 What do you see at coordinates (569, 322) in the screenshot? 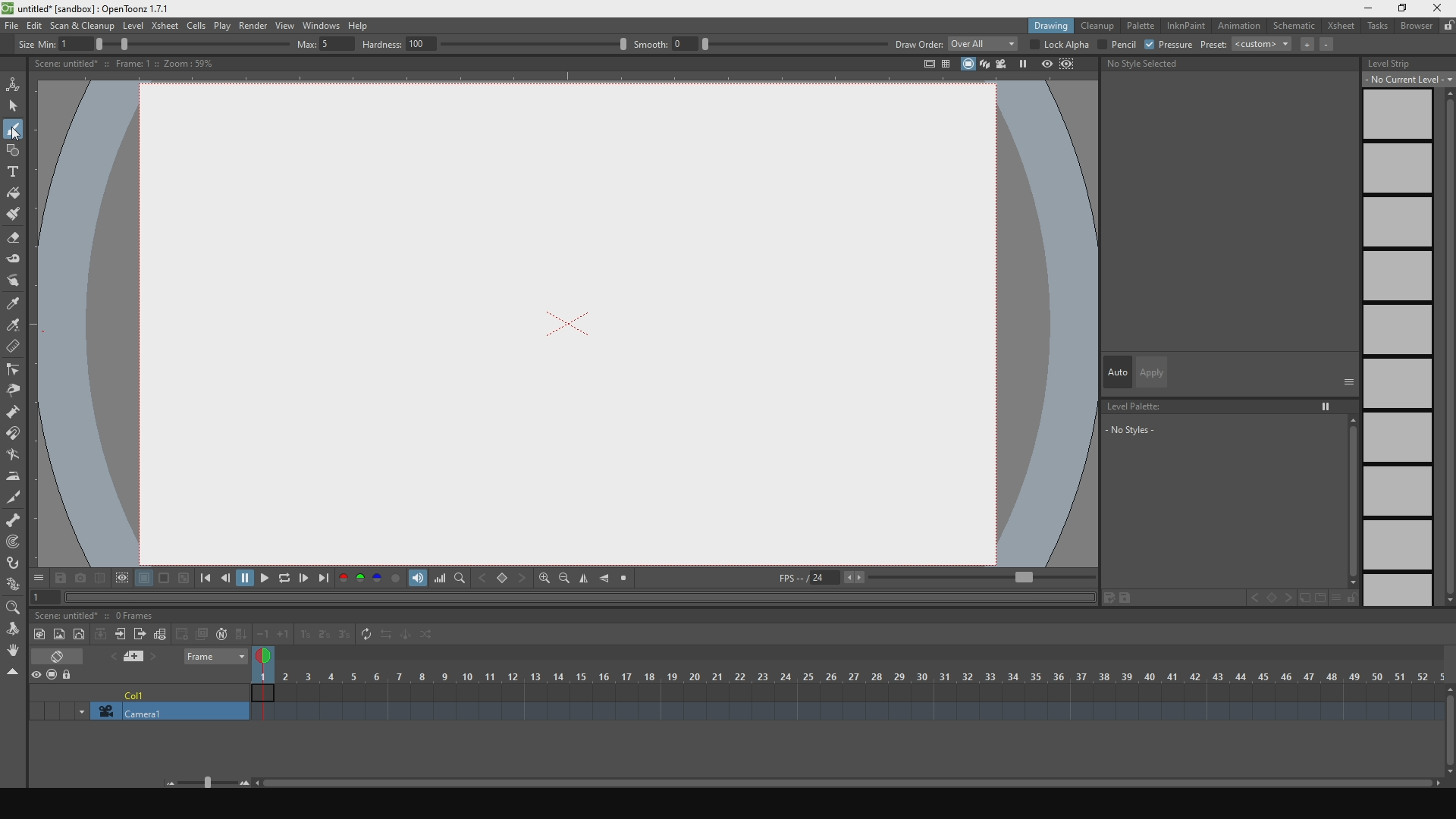
I see `blank canvas` at bounding box center [569, 322].